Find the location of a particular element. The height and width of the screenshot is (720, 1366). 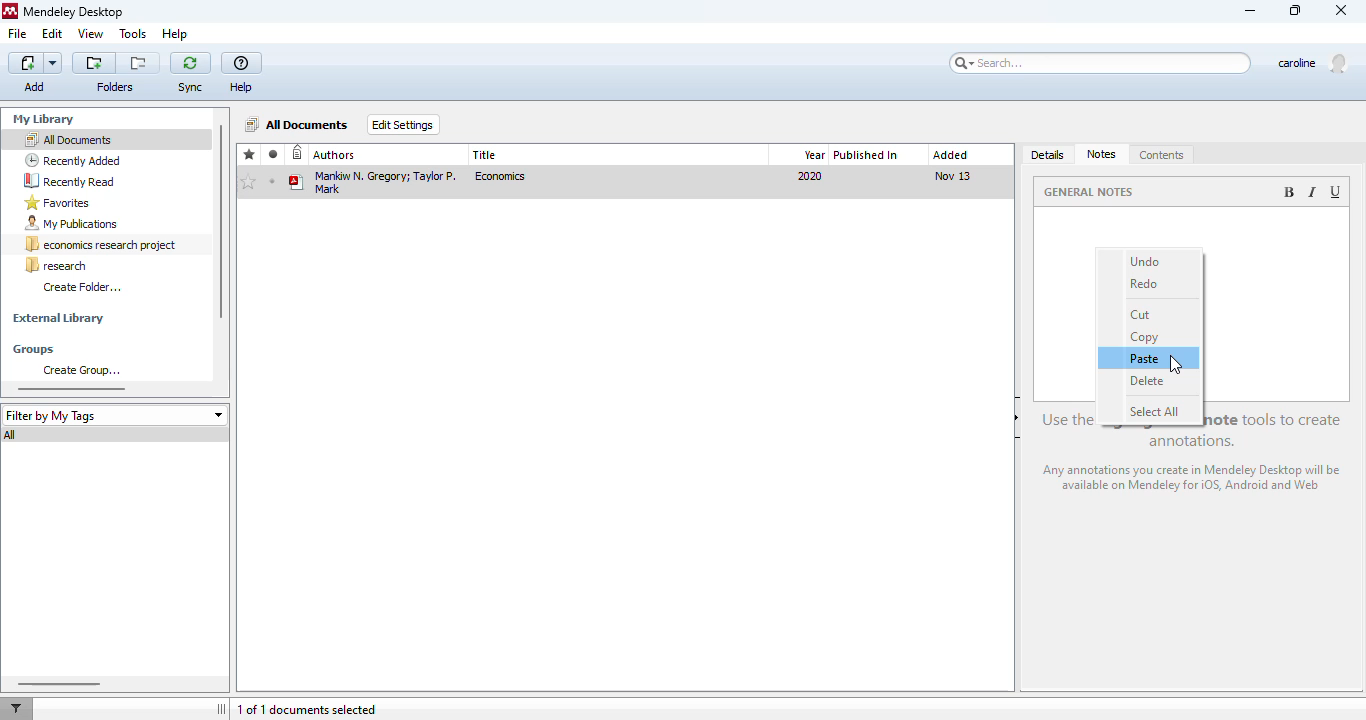

1 of 1 documents selected is located at coordinates (307, 710).